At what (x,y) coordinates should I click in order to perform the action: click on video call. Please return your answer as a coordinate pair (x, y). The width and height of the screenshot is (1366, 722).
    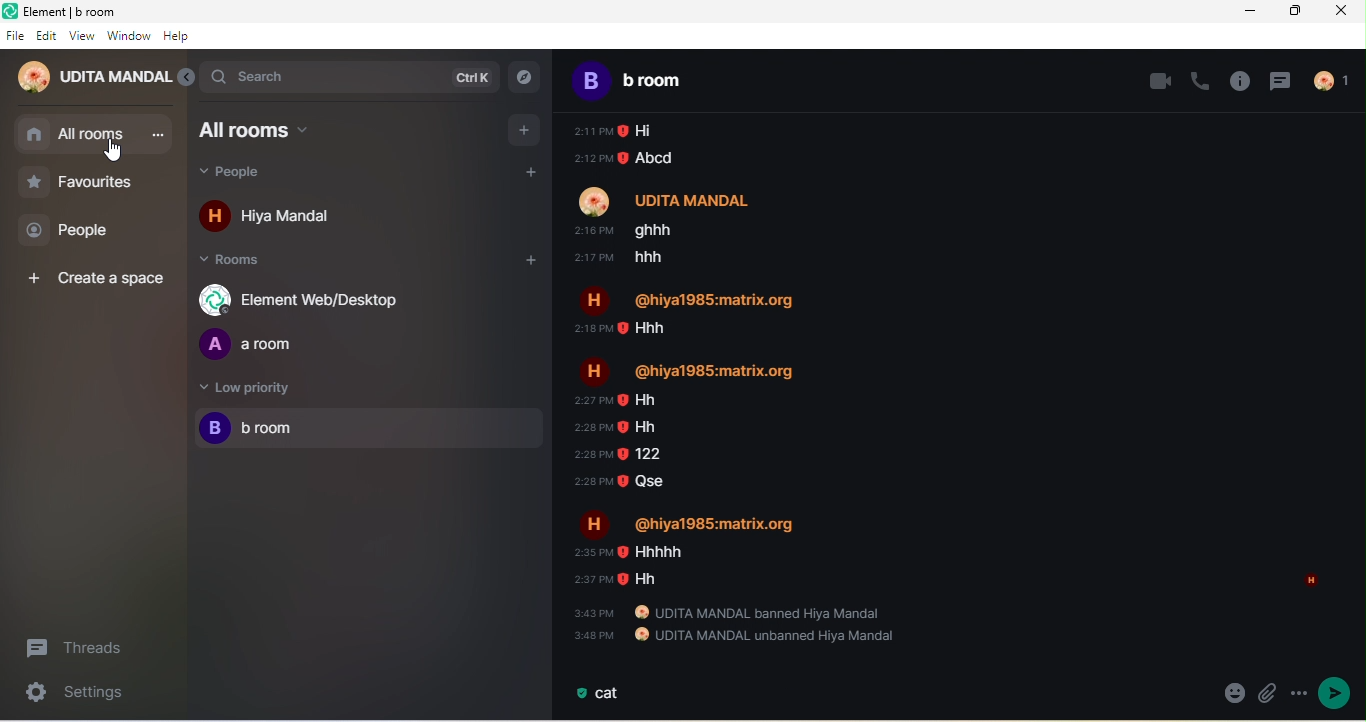
    Looking at the image, I should click on (1159, 80).